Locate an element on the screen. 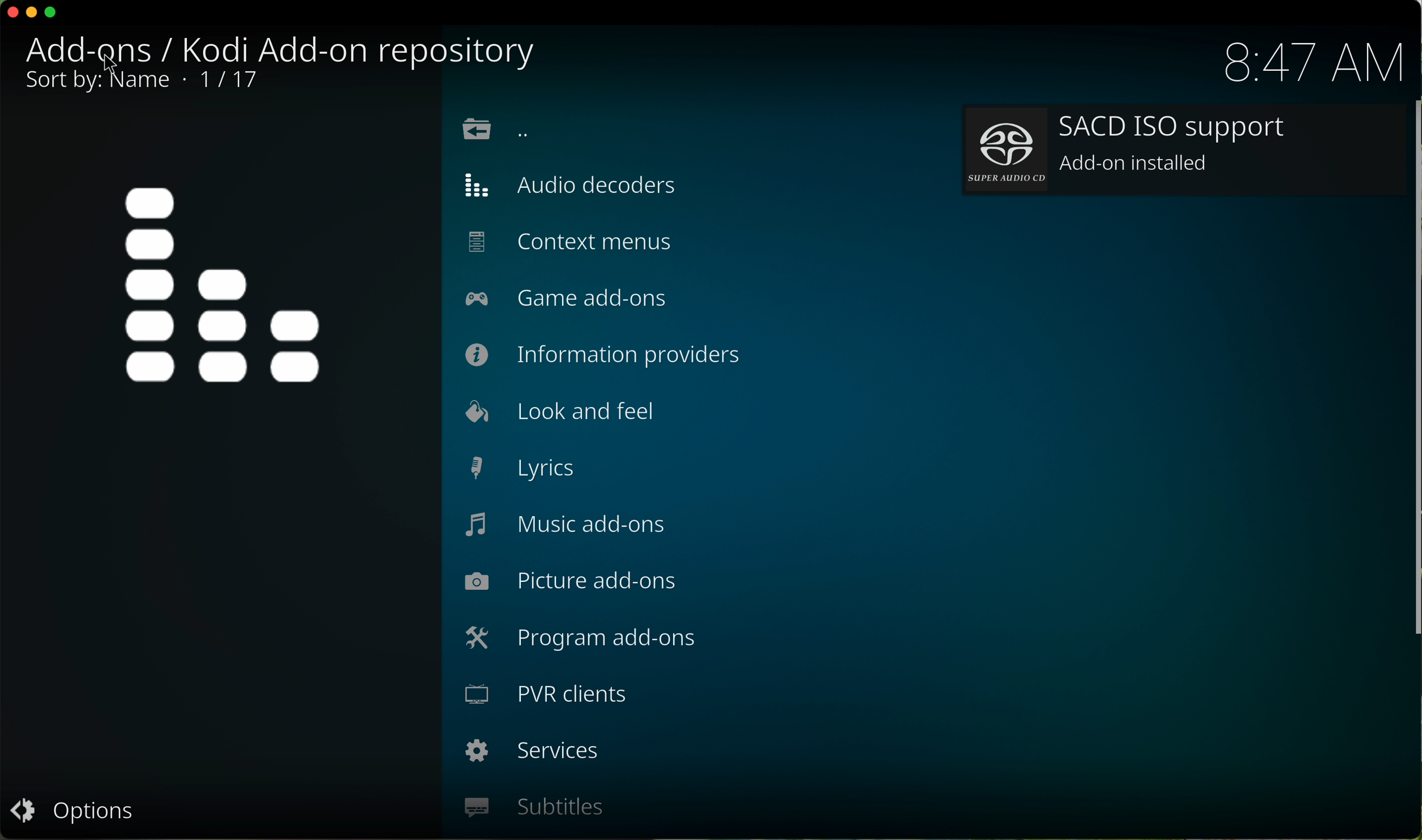 This screenshot has height=840, width=1422. PVR clients is located at coordinates (544, 695).